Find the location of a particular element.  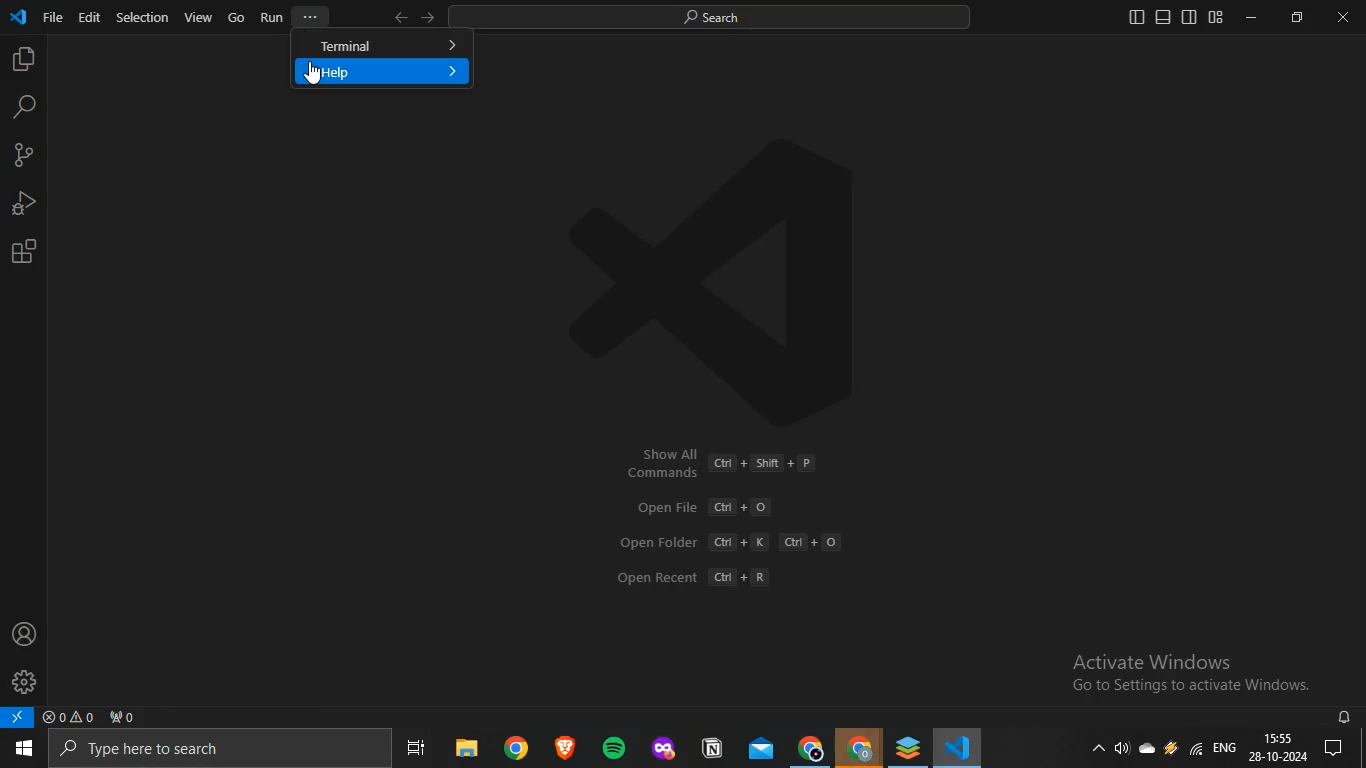

vscode icon is located at coordinates (19, 15).